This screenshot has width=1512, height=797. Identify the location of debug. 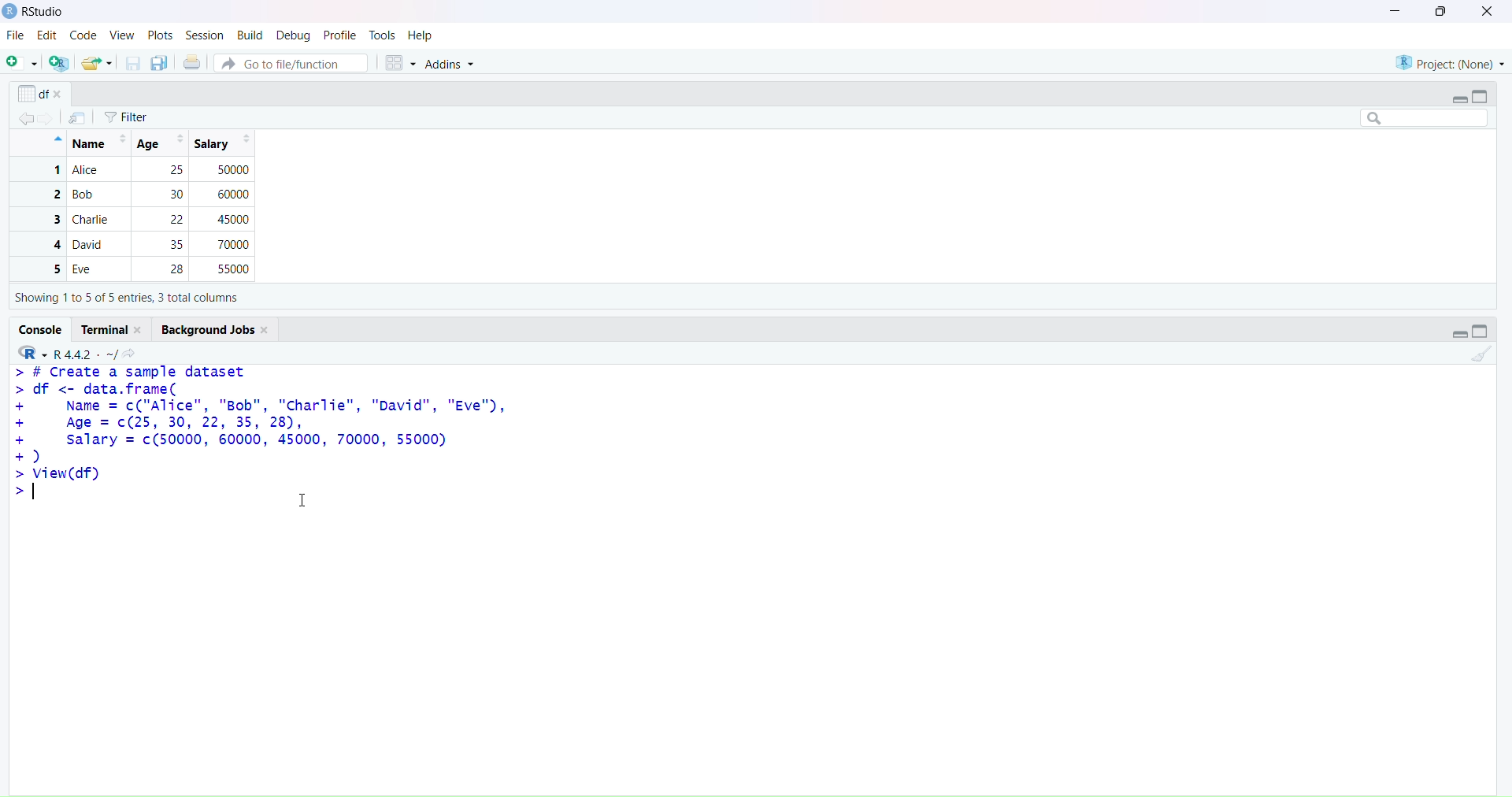
(292, 35).